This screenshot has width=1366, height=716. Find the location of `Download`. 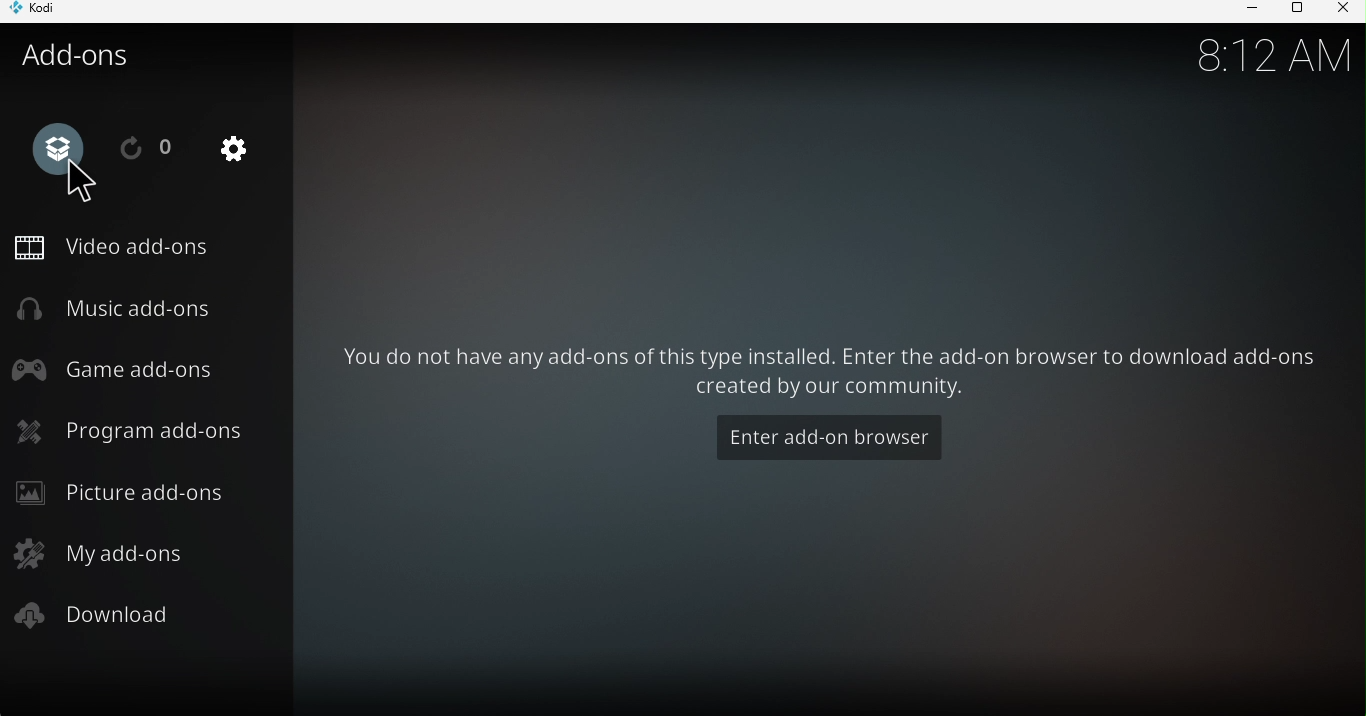

Download is located at coordinates (107, 617).